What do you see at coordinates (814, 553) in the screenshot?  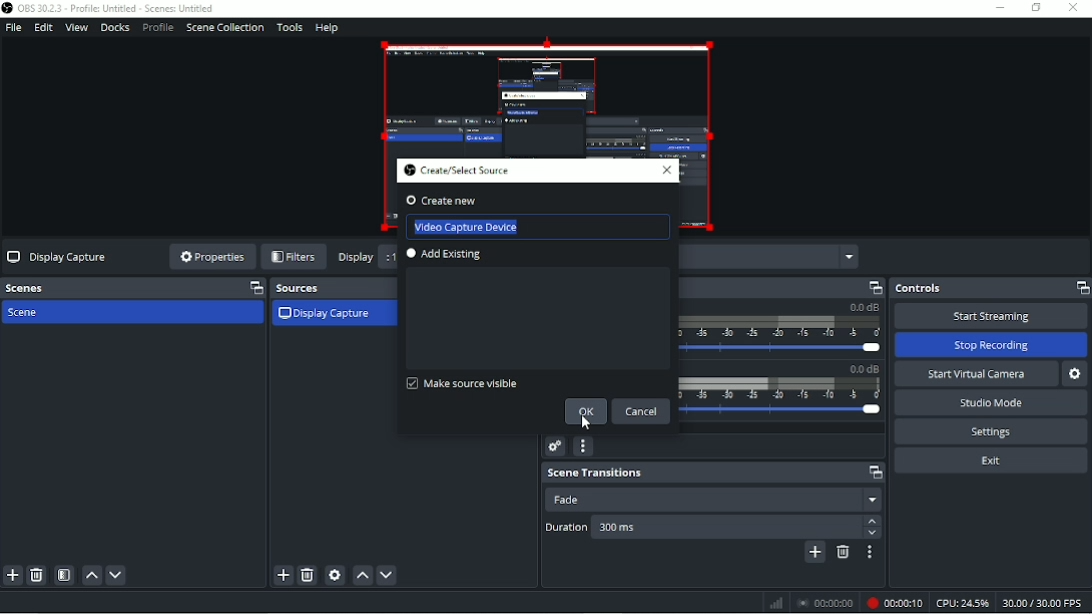 I see `Add configurable transition` at bounding box center [814, 553].